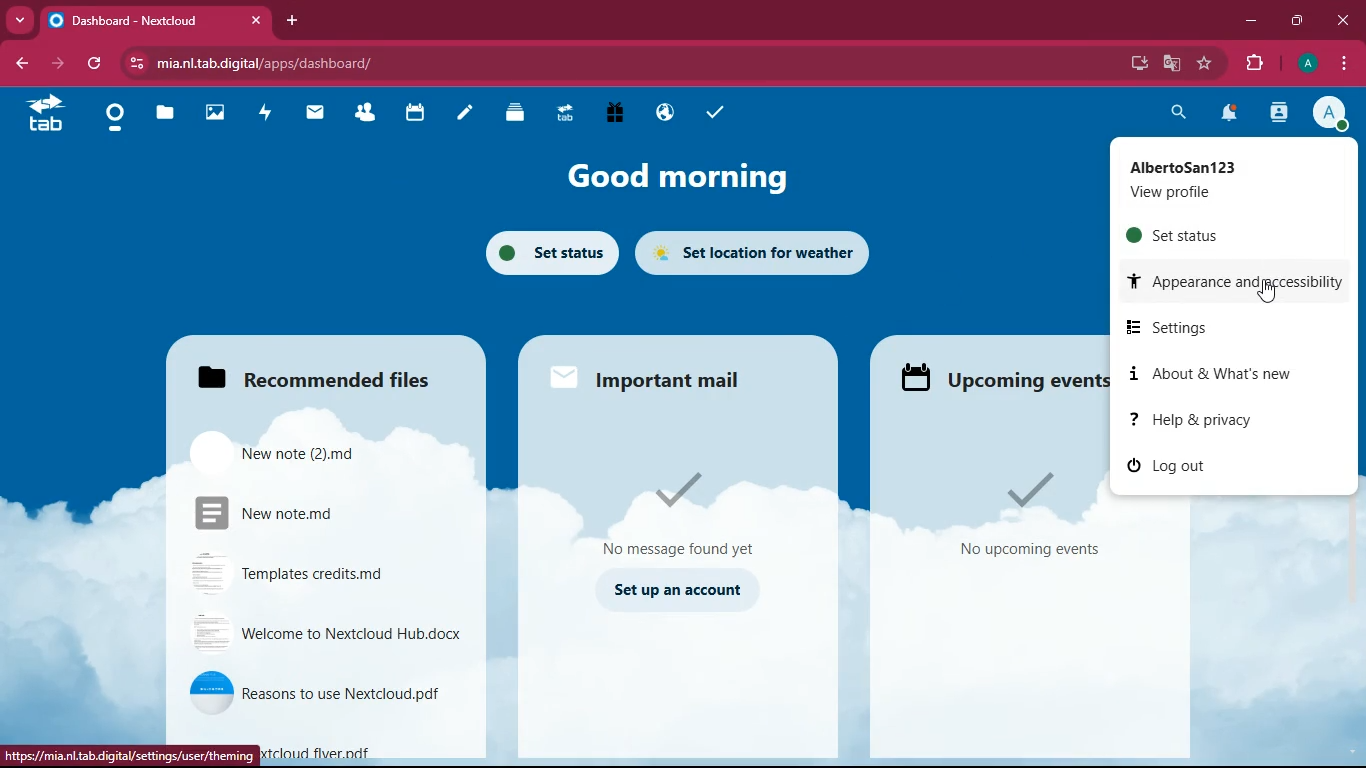 This screenshot has width=1366, height=768. I want to click on tasks, so click(720, 110).